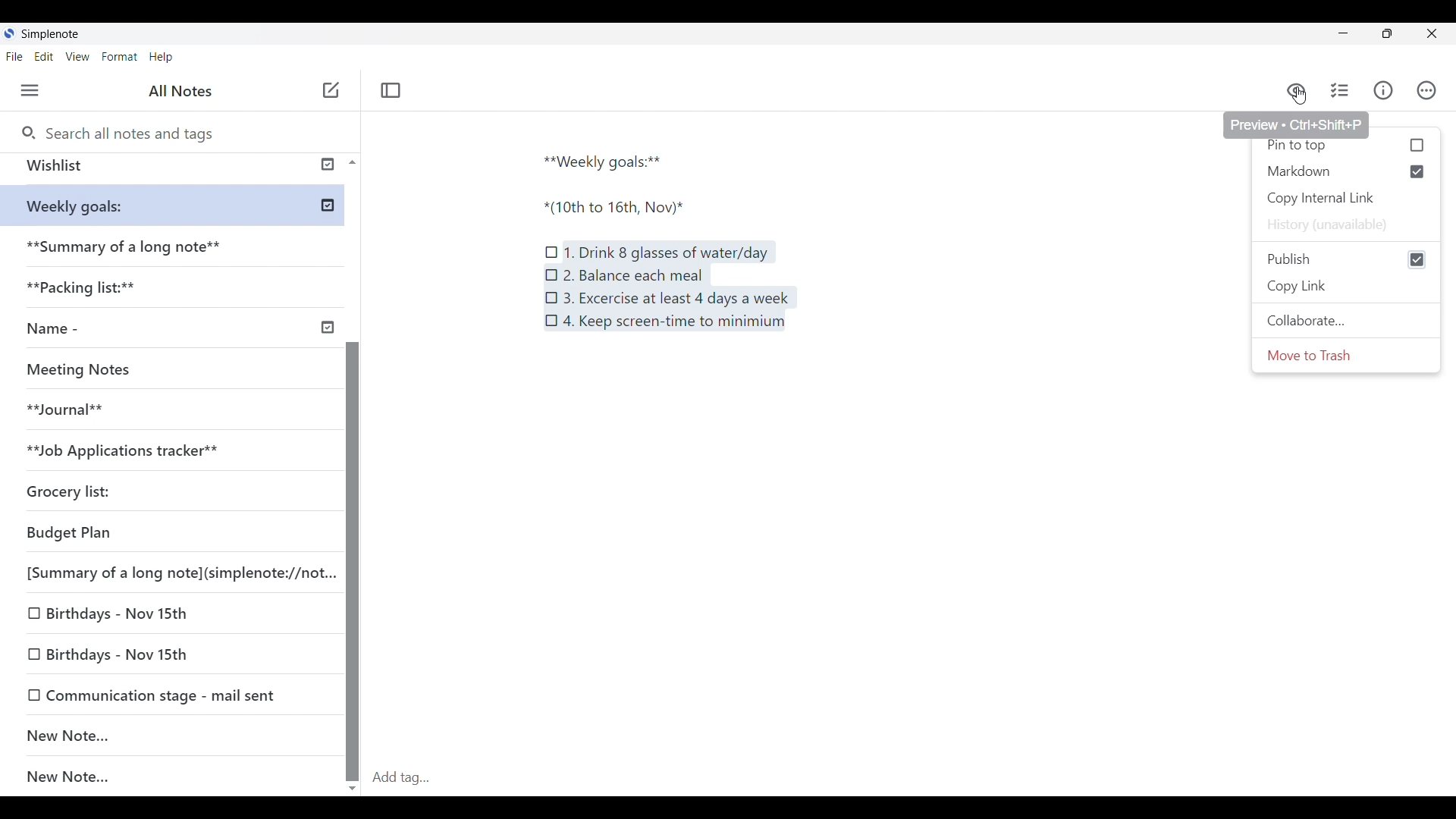  I want to click on Toggle focus mode, so click(393, 89).